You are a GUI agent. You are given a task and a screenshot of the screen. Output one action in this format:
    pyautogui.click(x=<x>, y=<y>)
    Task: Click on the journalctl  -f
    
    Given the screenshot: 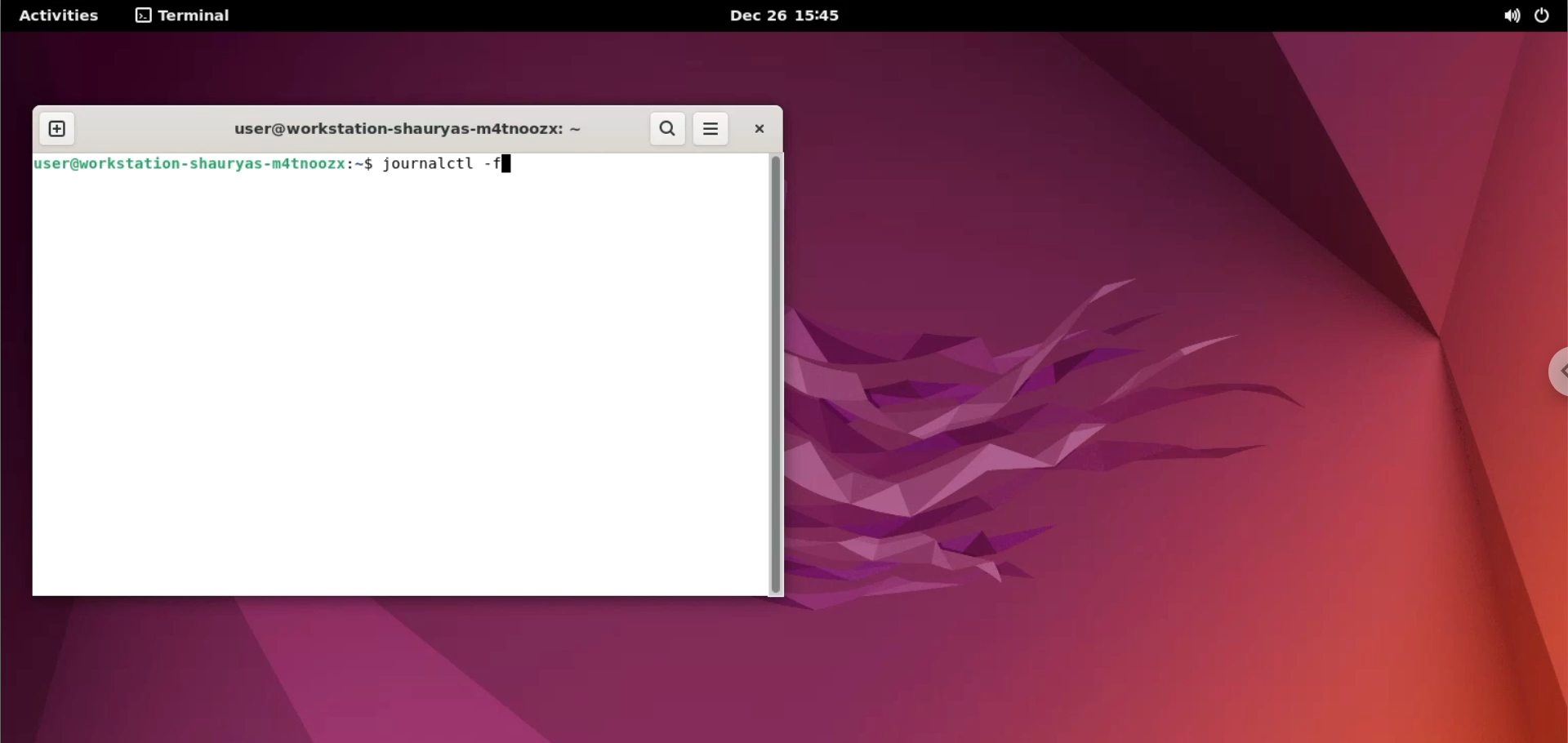 What is the action you would take?
    pyautogui.click(x=464, y=166)
    